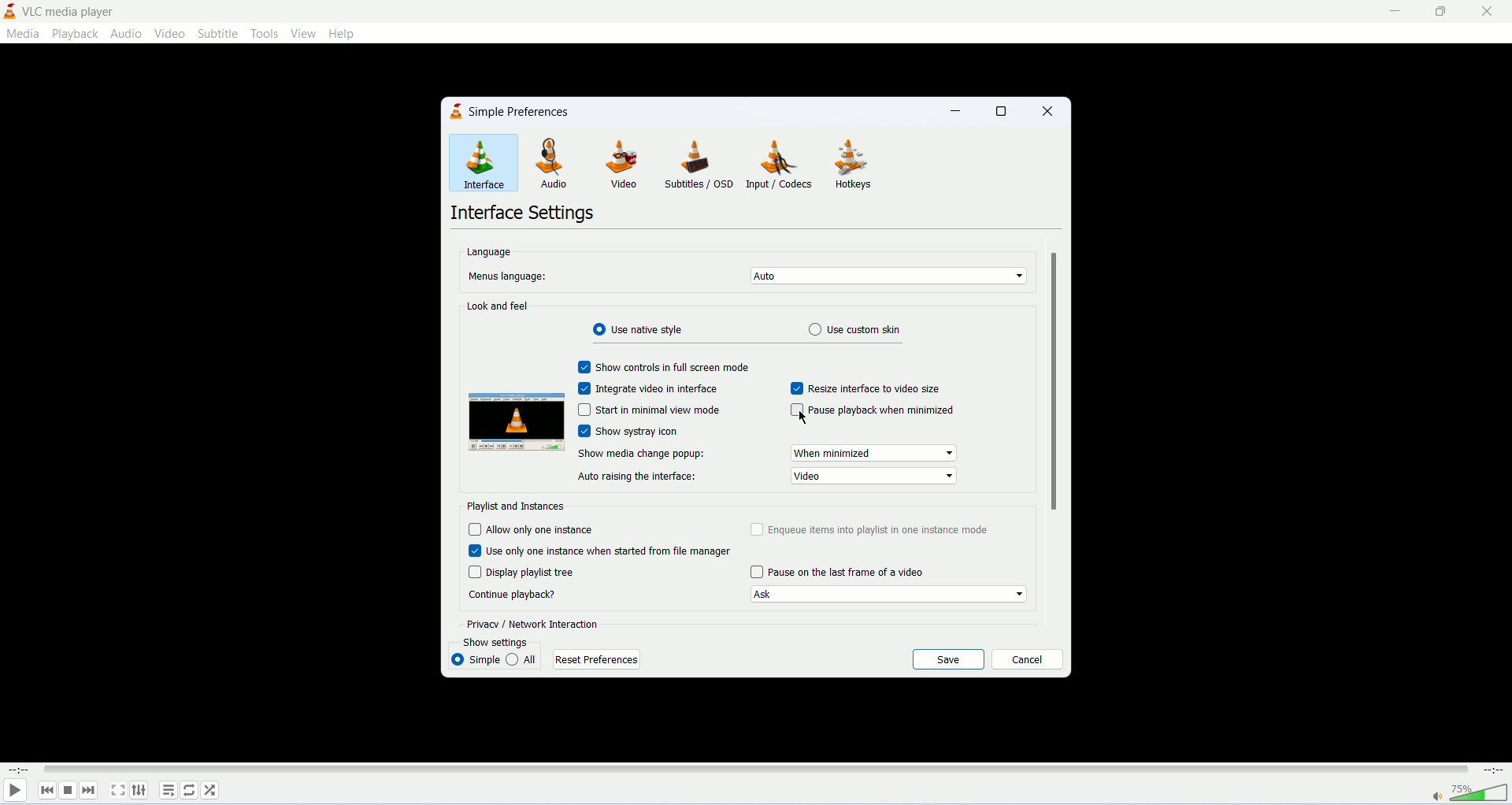  I want to click on volume bar, so click(1469, 794).